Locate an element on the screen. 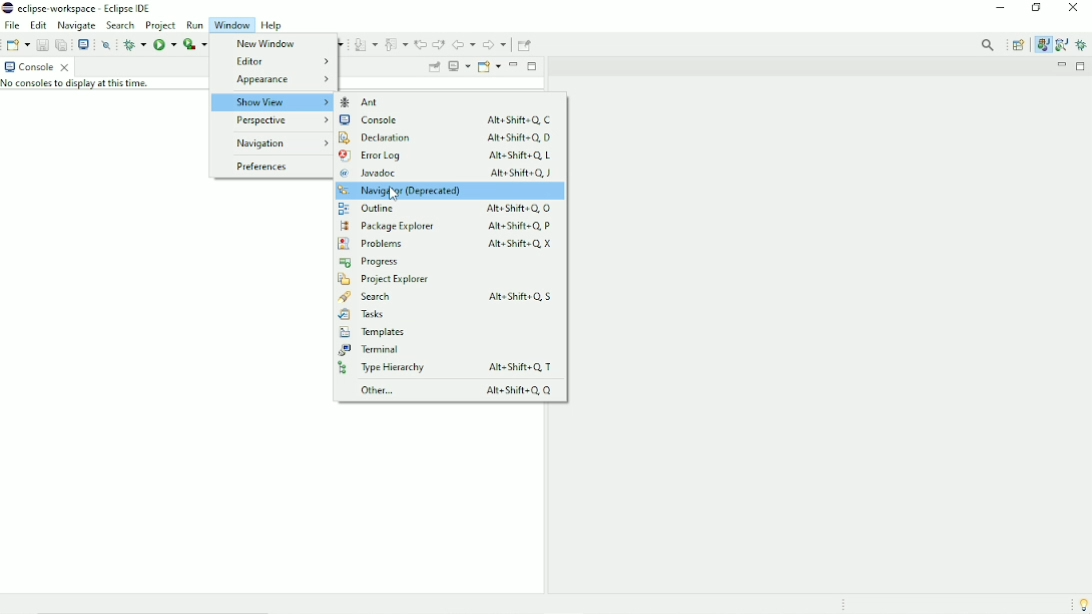  No consoles to display at this time. is located at coordinates (83, 86).